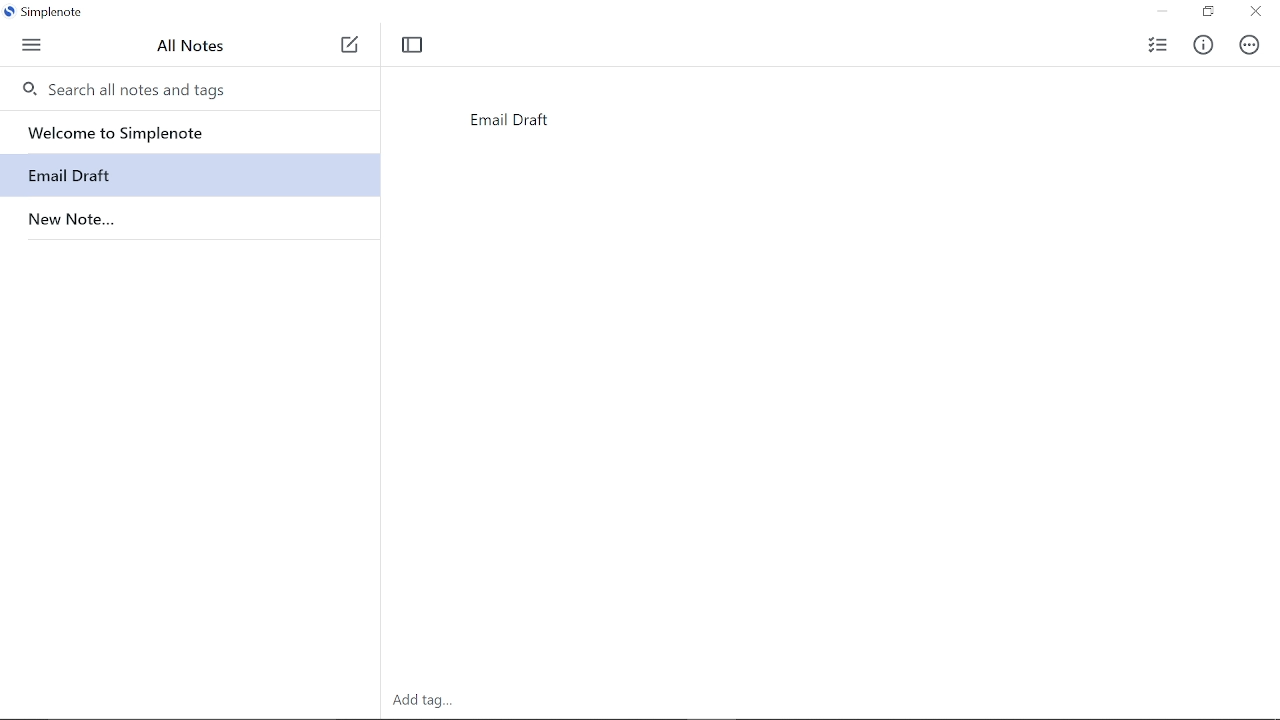 The width and height of the screenshot is (1280, 720). What do you see at coordinates (31, 49) in the screenshot?
I see `Menu` at bounding box center [31, 49].